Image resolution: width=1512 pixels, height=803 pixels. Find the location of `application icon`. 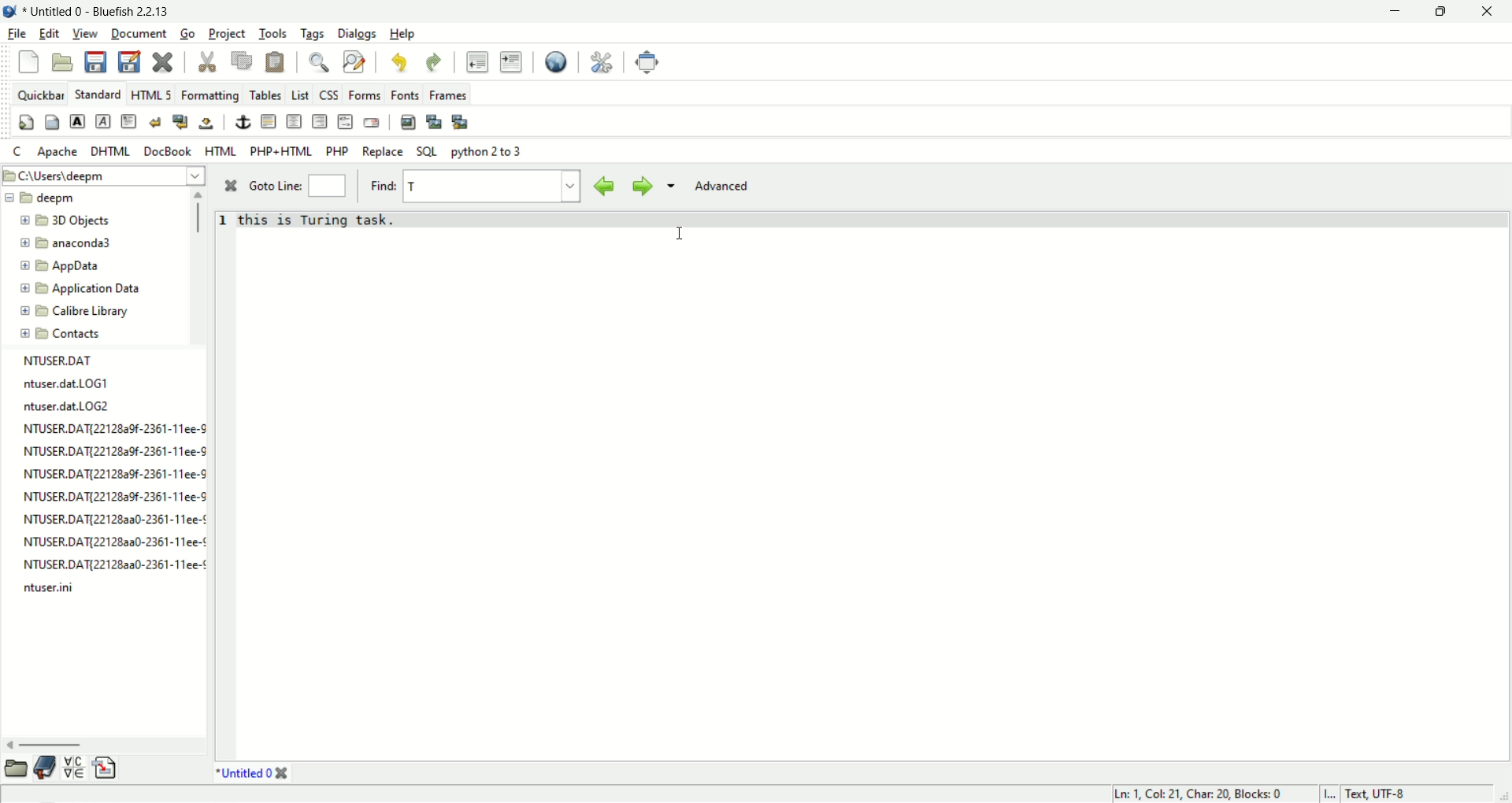

application icon is located at coordinates (9, 9).